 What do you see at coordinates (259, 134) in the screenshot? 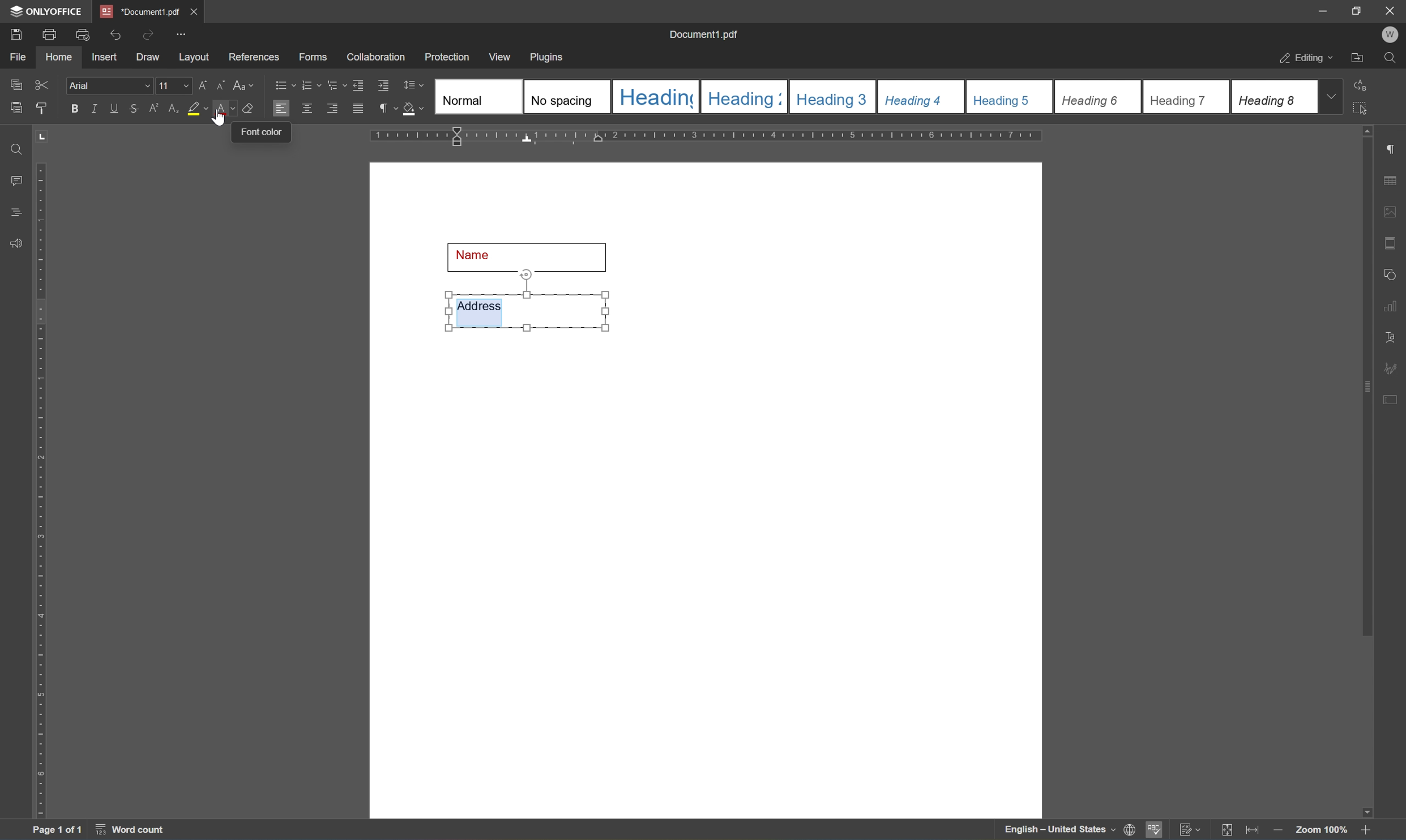
I see `font color` at bounding box center [259, 134].